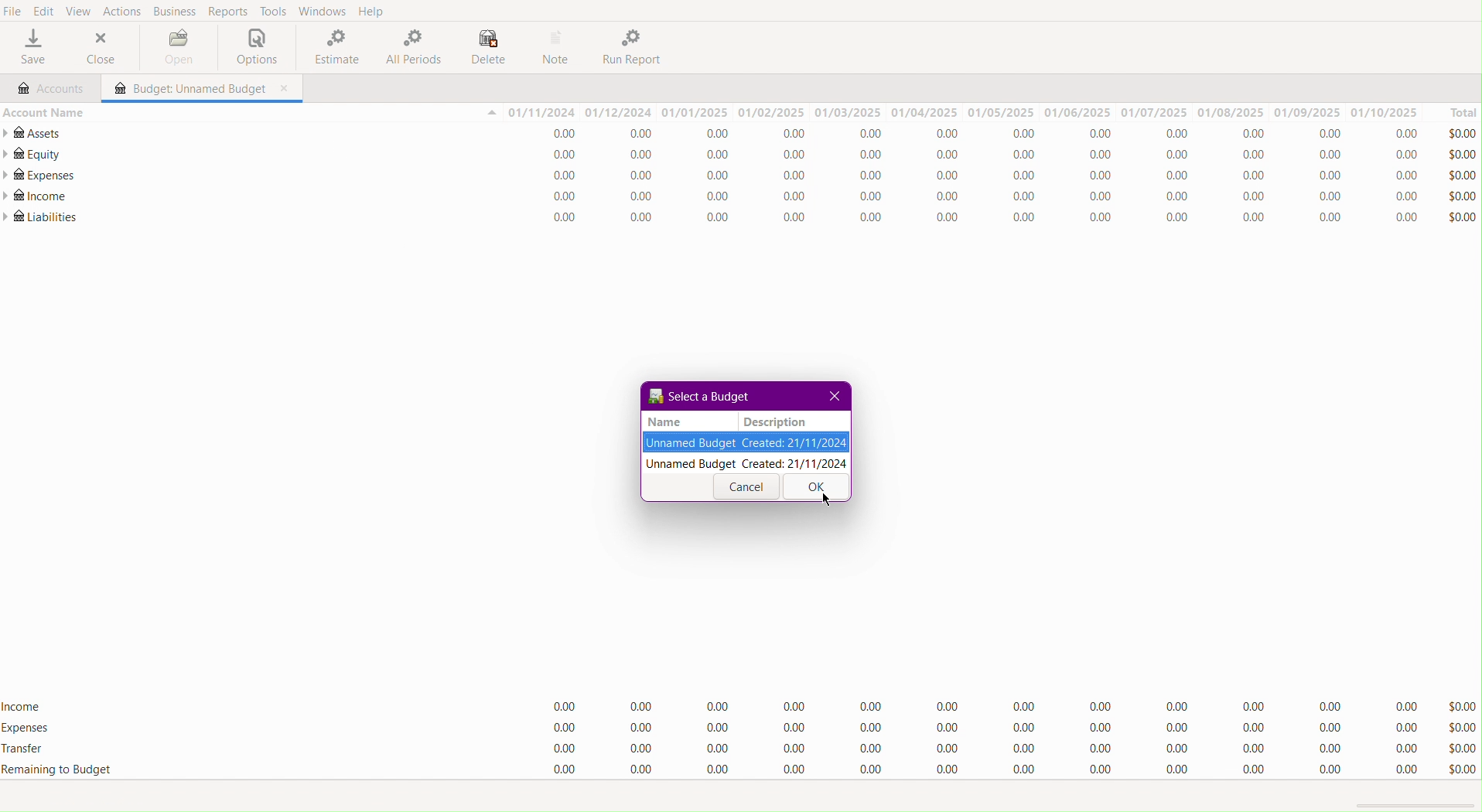 The image size is (1482, 812). What do you see at coordinates (986, 746) in the screenshot?
I see `Transfers` at bounding box center [986, 746].